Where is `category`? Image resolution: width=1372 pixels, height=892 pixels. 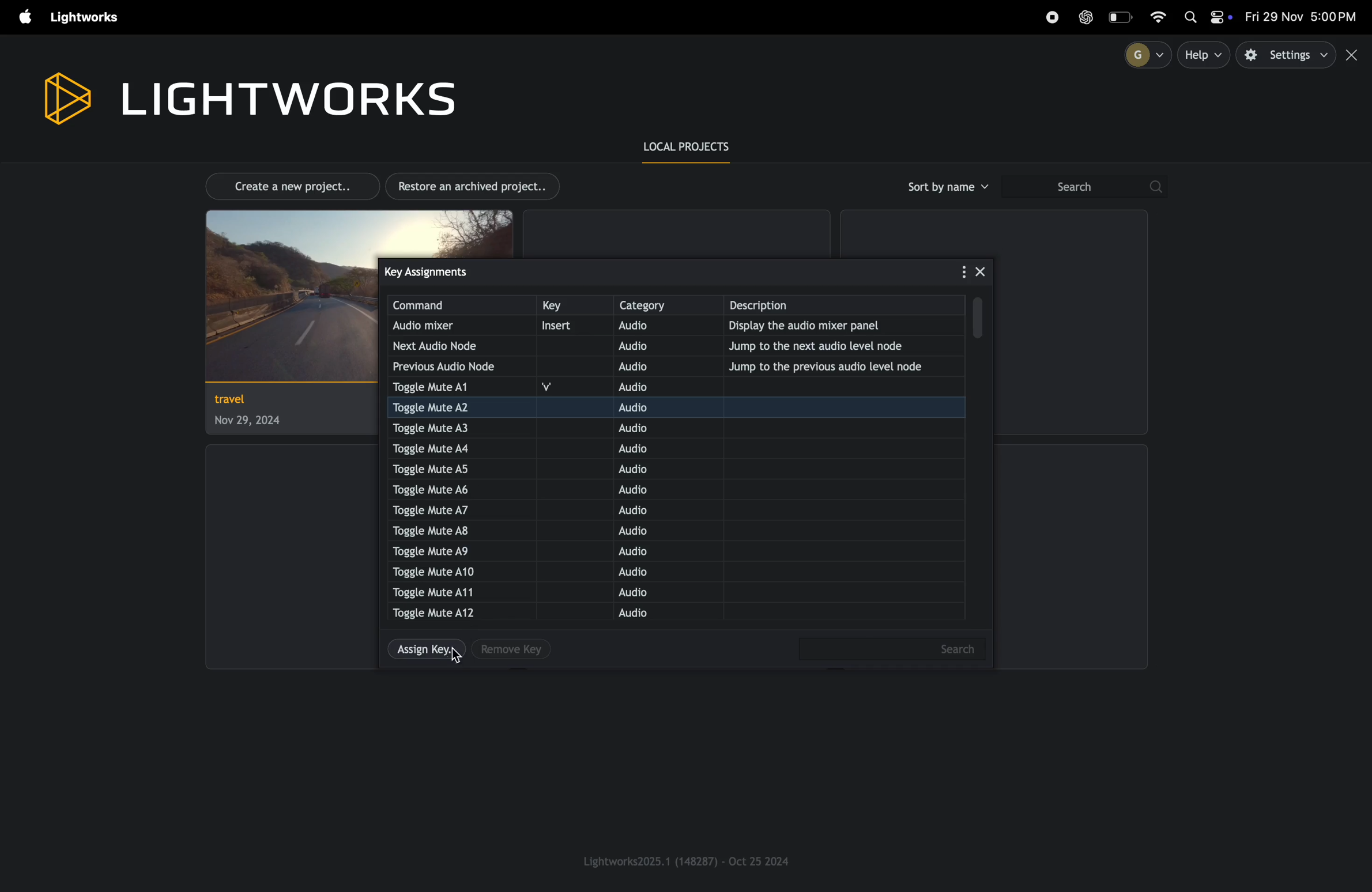 category is located at coordinates (666, 305).